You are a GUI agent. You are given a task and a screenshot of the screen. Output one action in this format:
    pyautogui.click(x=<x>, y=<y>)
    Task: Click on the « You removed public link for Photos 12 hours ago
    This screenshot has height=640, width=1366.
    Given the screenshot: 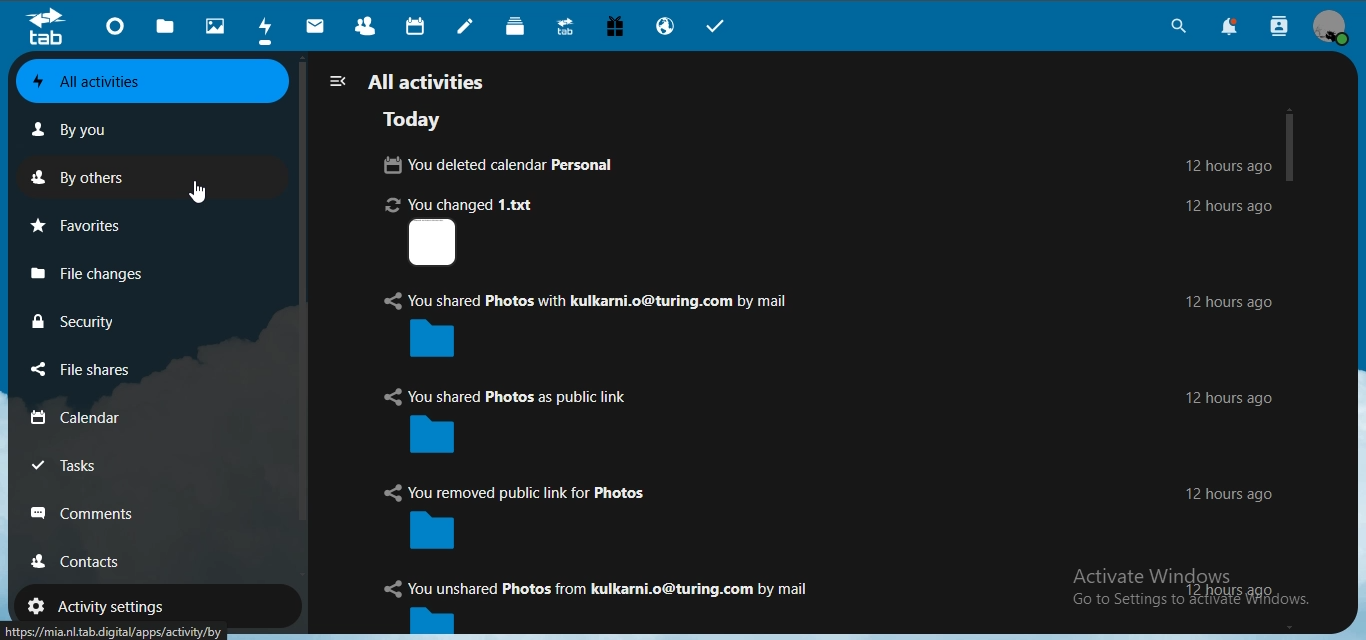 What is the action you would take?
    pyautogui.click(x=832, y=516)
    